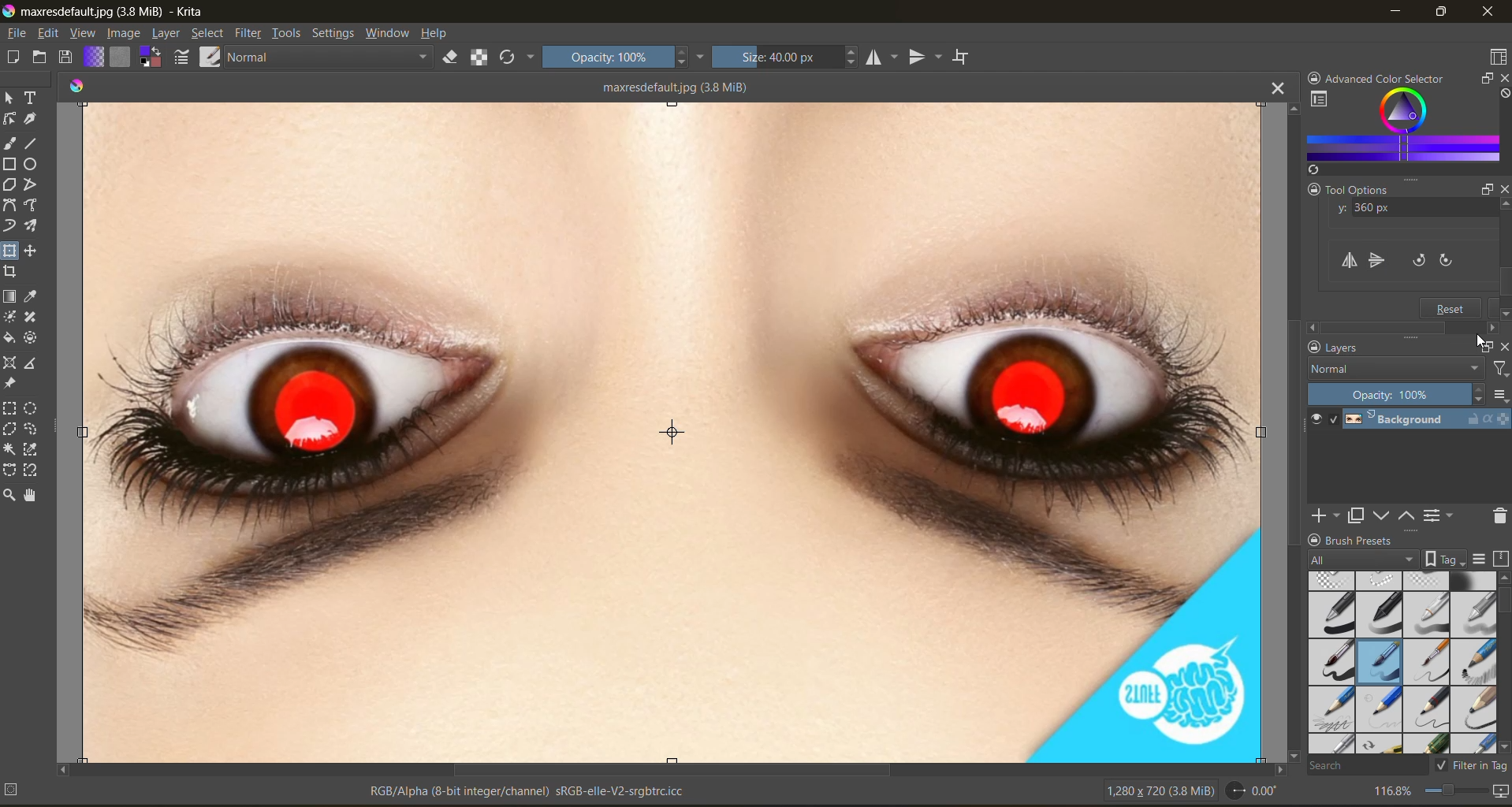 This screenshot has height=807, width=1512. I want to click on tool, so click(32, 363).